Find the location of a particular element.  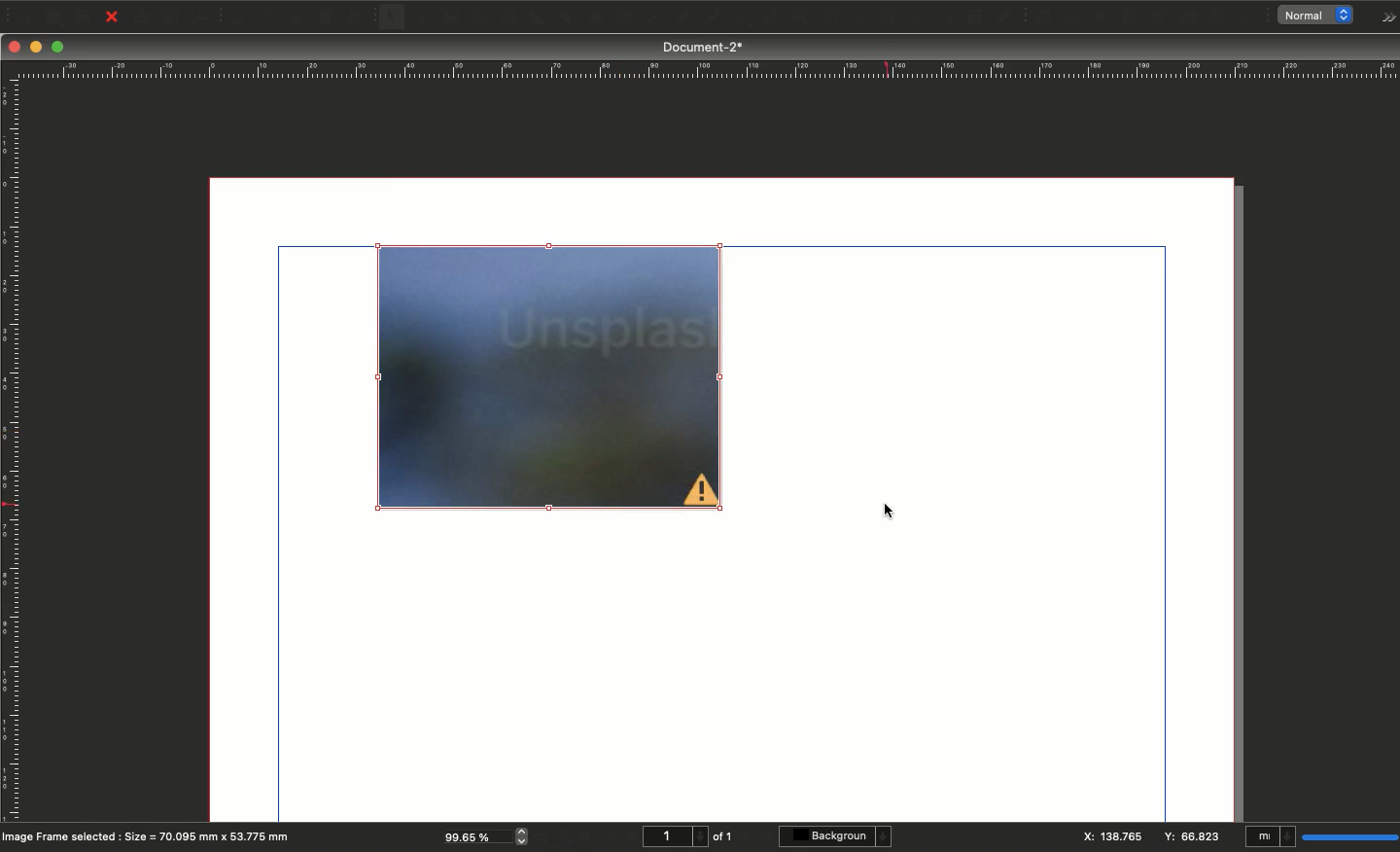

Close is located at coordinates (15, 47).